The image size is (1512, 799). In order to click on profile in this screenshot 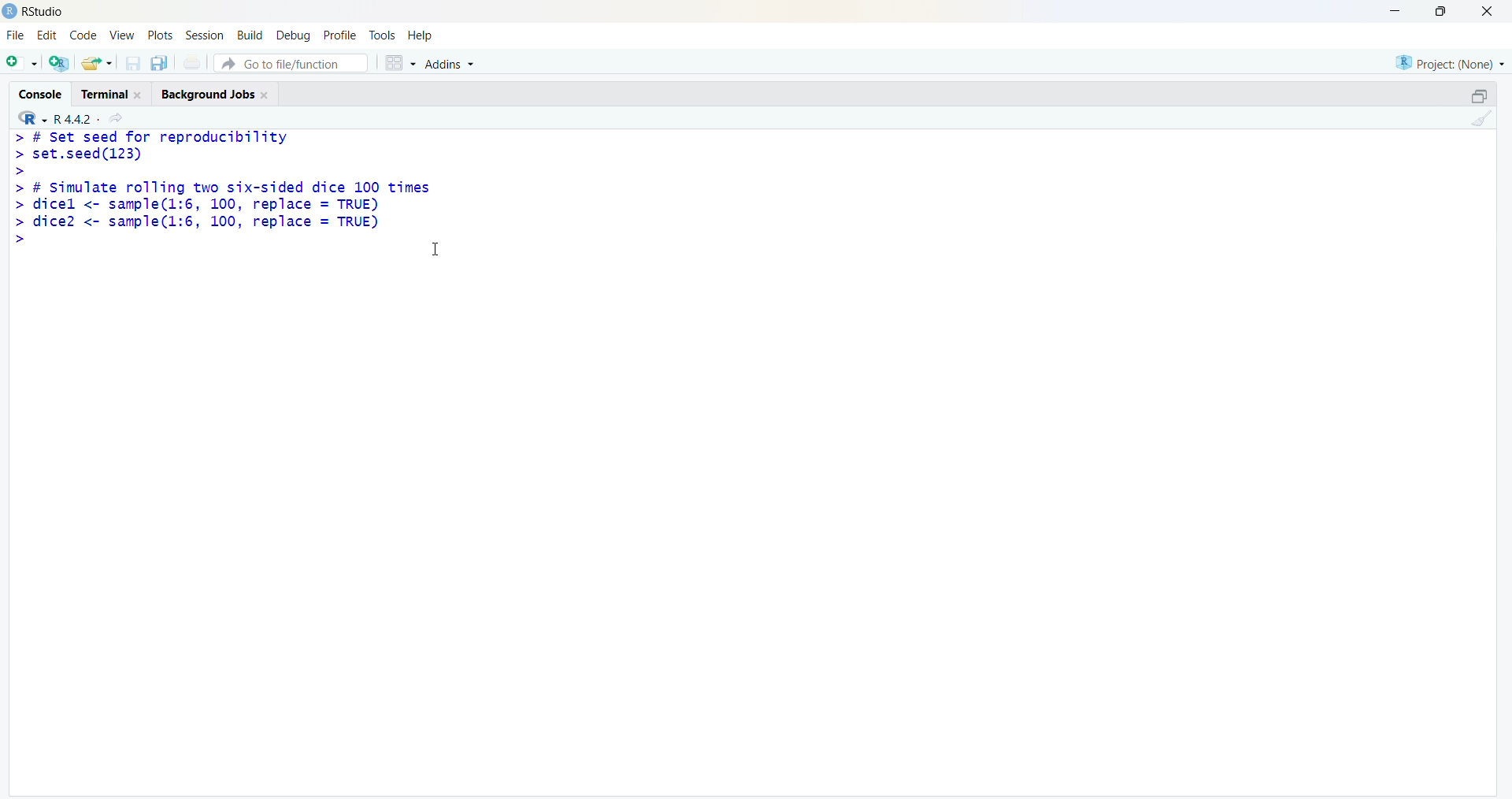, I will do `click(342, 36)`.